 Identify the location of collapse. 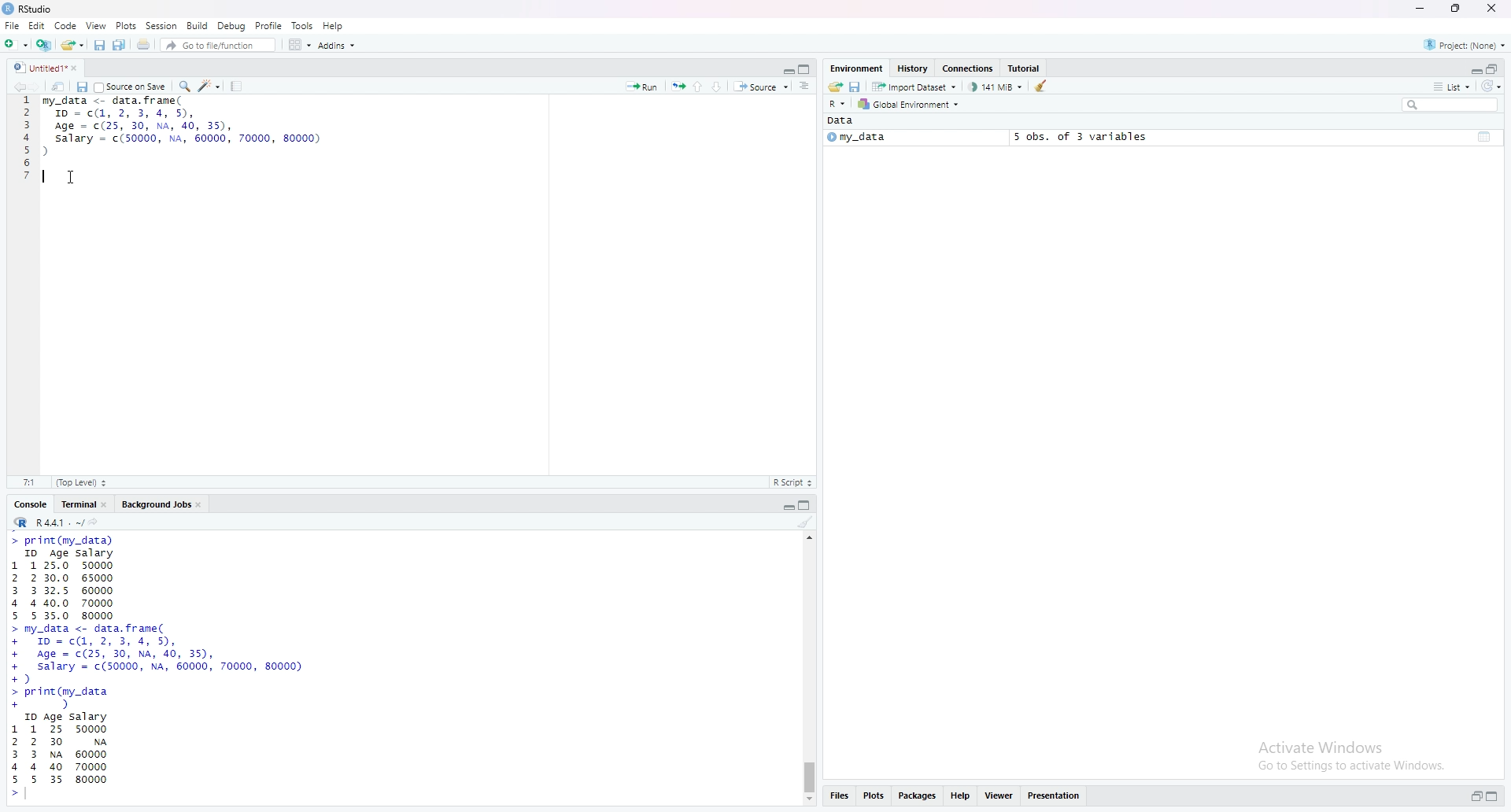
(1494, 69).